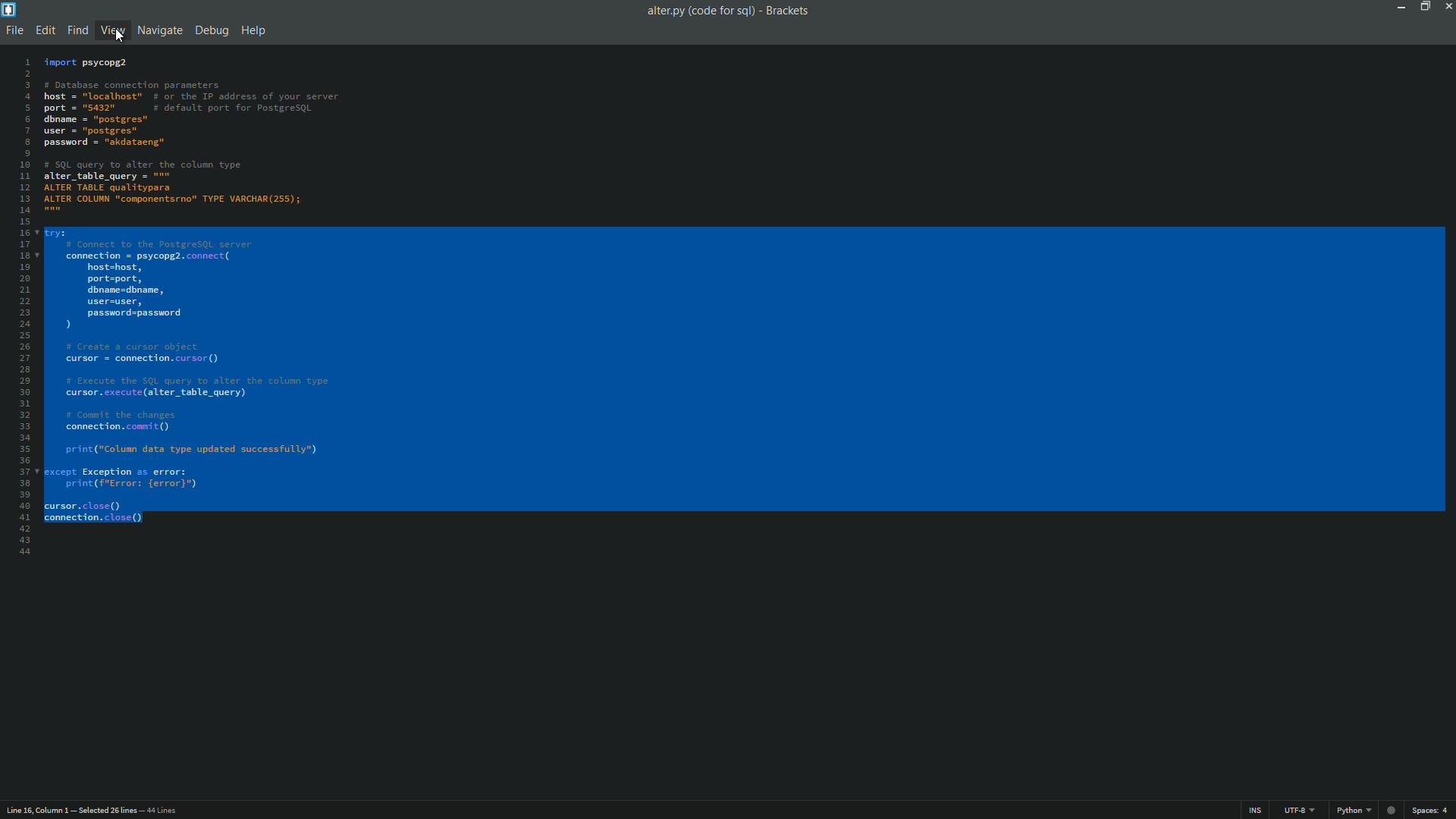 This screenshot has width=1456, height=819. What do you see at coordinates (1422, 6) in the screenshot?
I see `maximize` at bounding box center [1422, 6].